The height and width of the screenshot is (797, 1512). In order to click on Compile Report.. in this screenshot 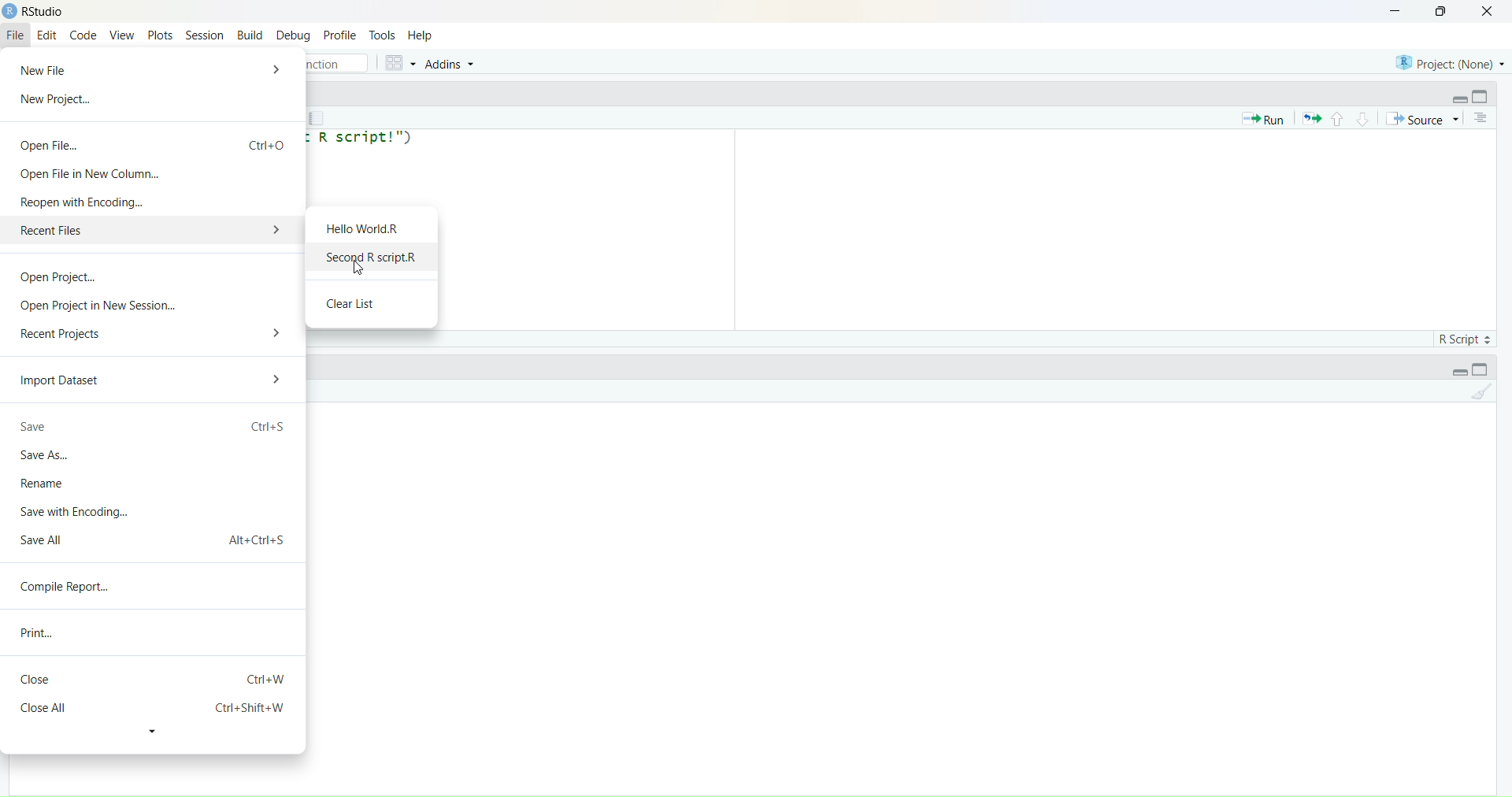, I will do `click(71, 588)`.